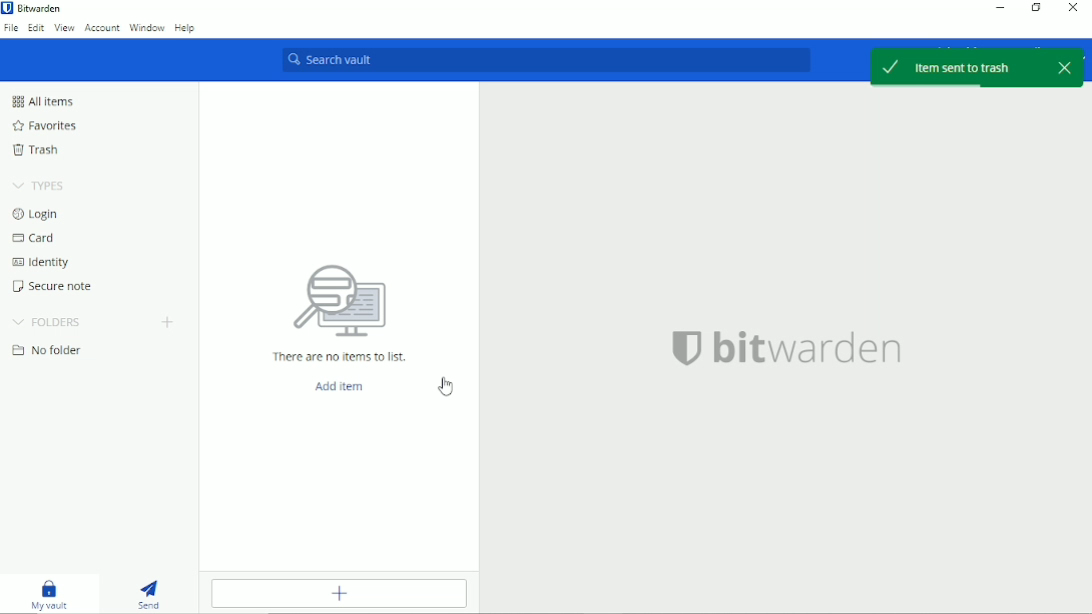 The height and width of the screenshot is (614, 1092). Describe the element at coordinates (786, 350) in the screenshot. I see `bitwarden` at that location.